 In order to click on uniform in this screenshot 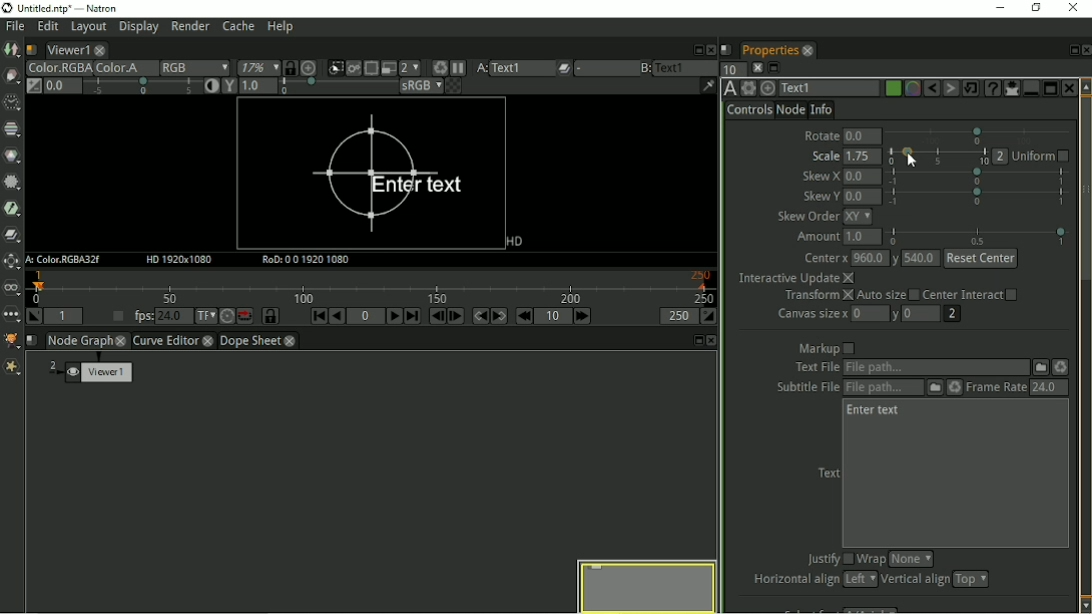, I will do `click(1031, 156)`.